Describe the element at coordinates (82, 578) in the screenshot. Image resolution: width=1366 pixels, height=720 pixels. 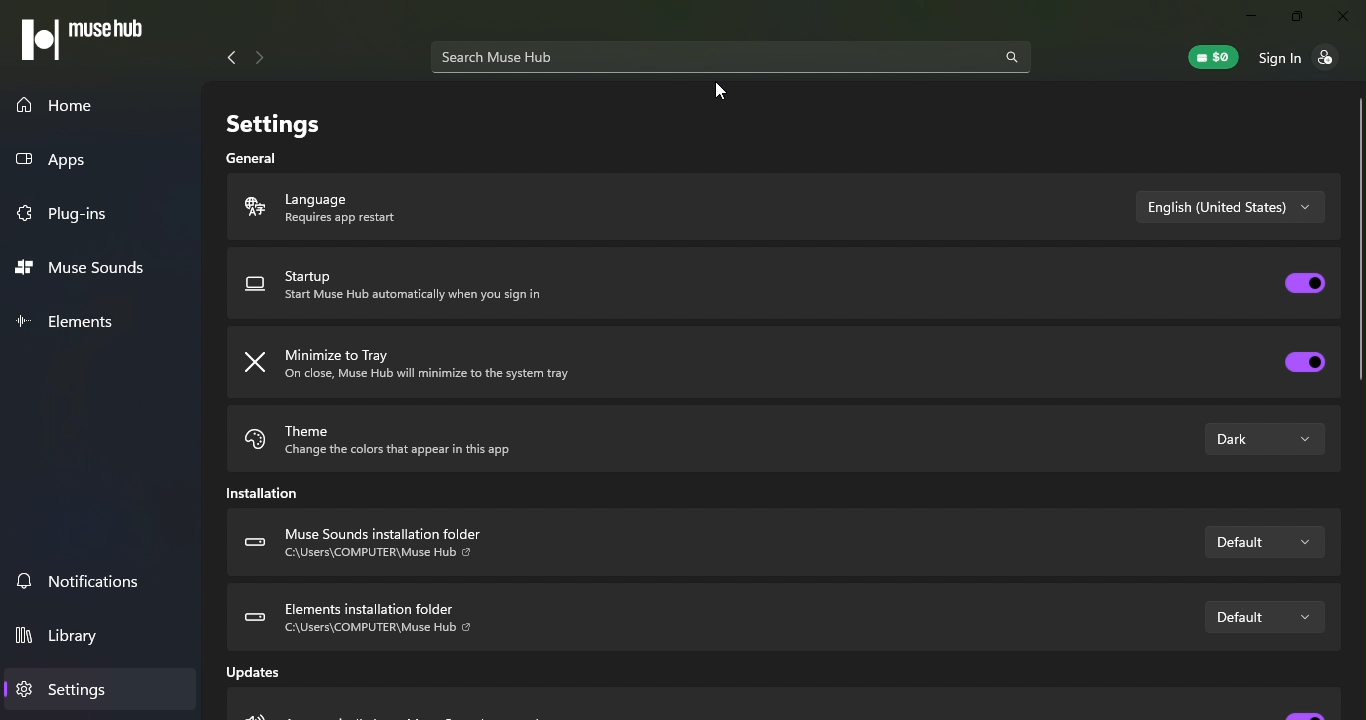
I see `Notifications` at that location.